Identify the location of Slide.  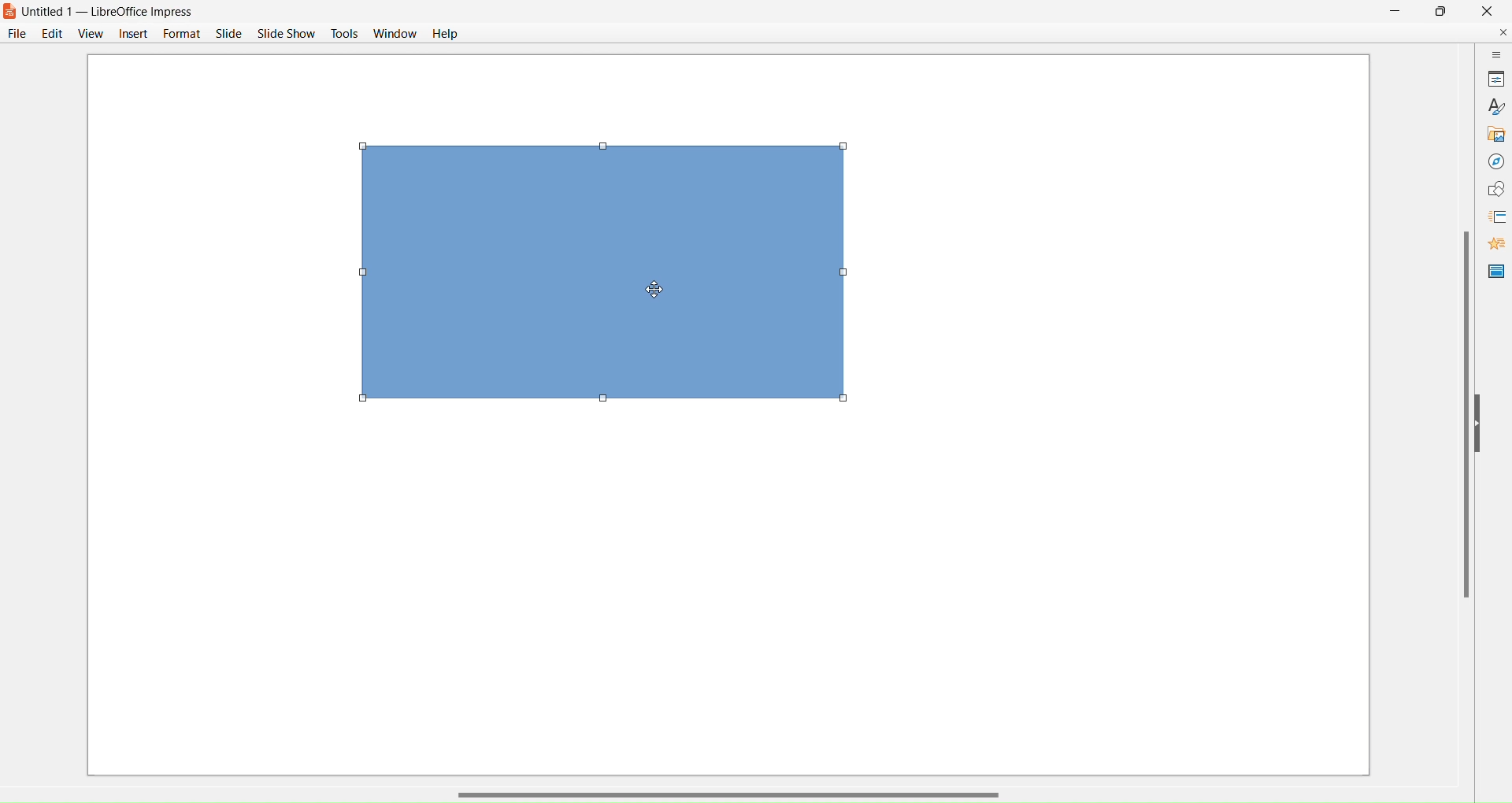
(228, 33).